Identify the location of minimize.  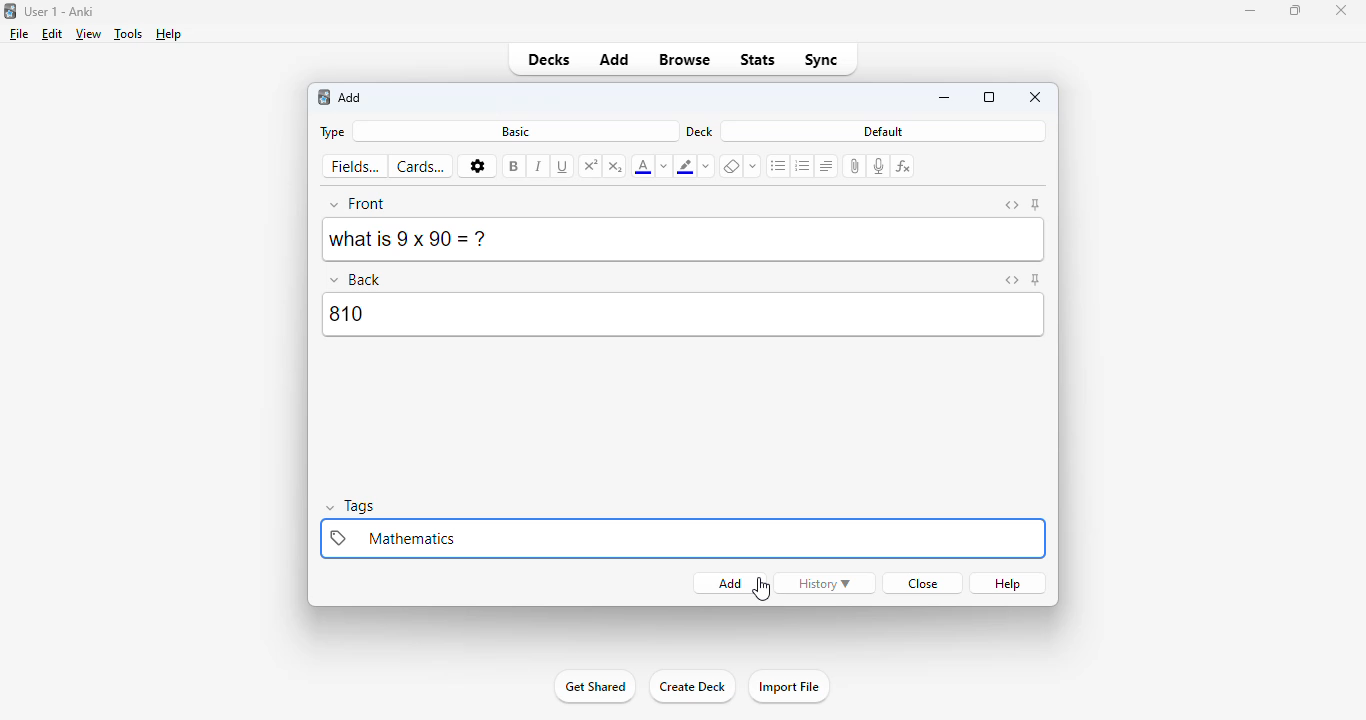
(1249, 11).